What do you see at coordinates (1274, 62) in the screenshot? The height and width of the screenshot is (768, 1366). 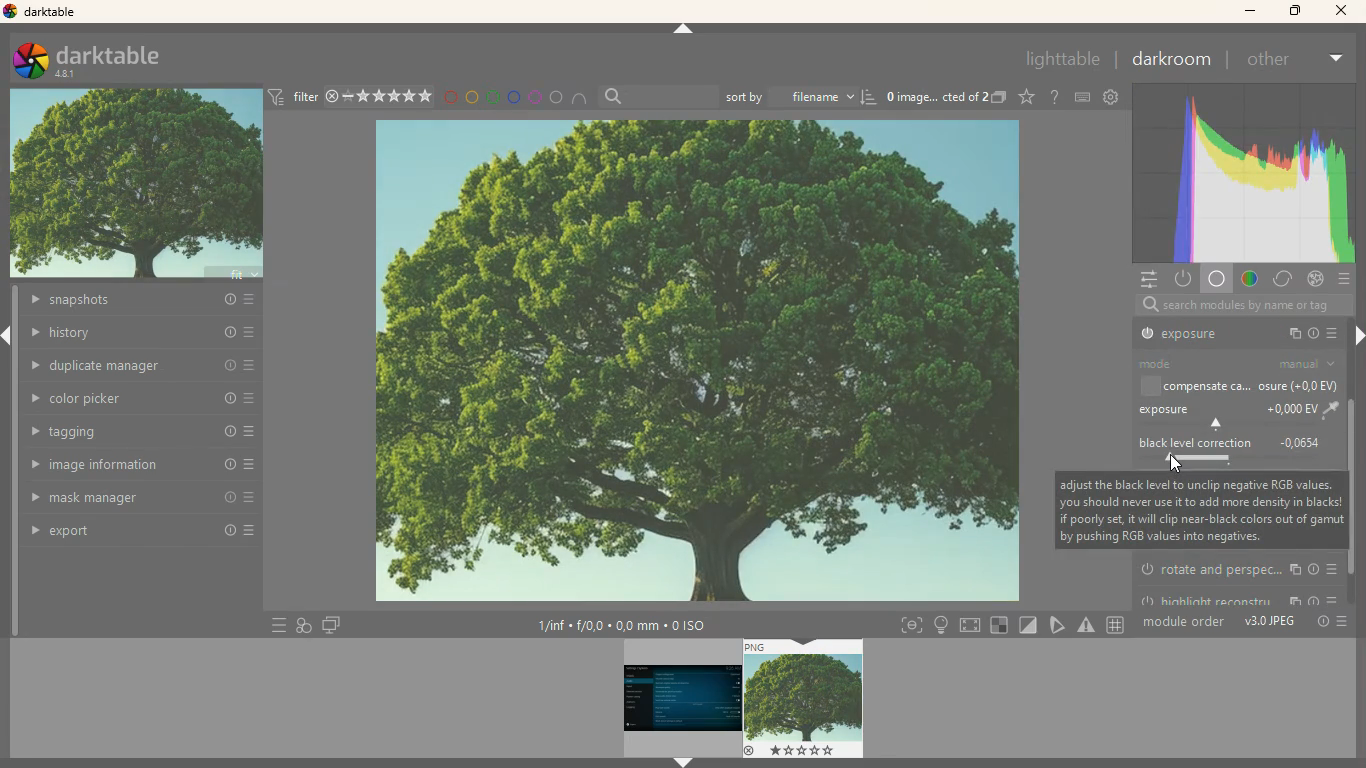 I see `other` at bounding box center [1274, 62].